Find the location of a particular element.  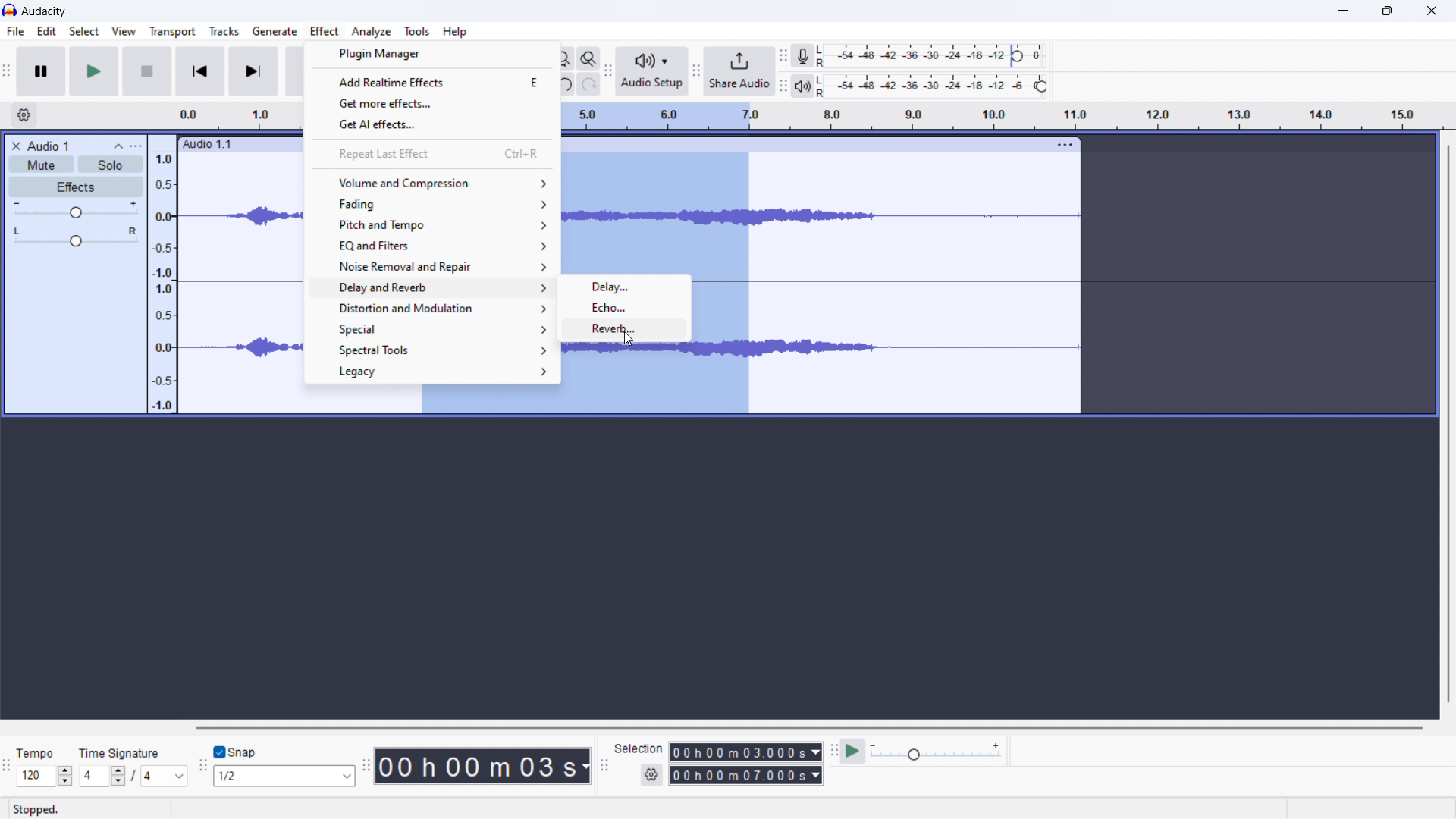

view is located at coordinates (124, 31).